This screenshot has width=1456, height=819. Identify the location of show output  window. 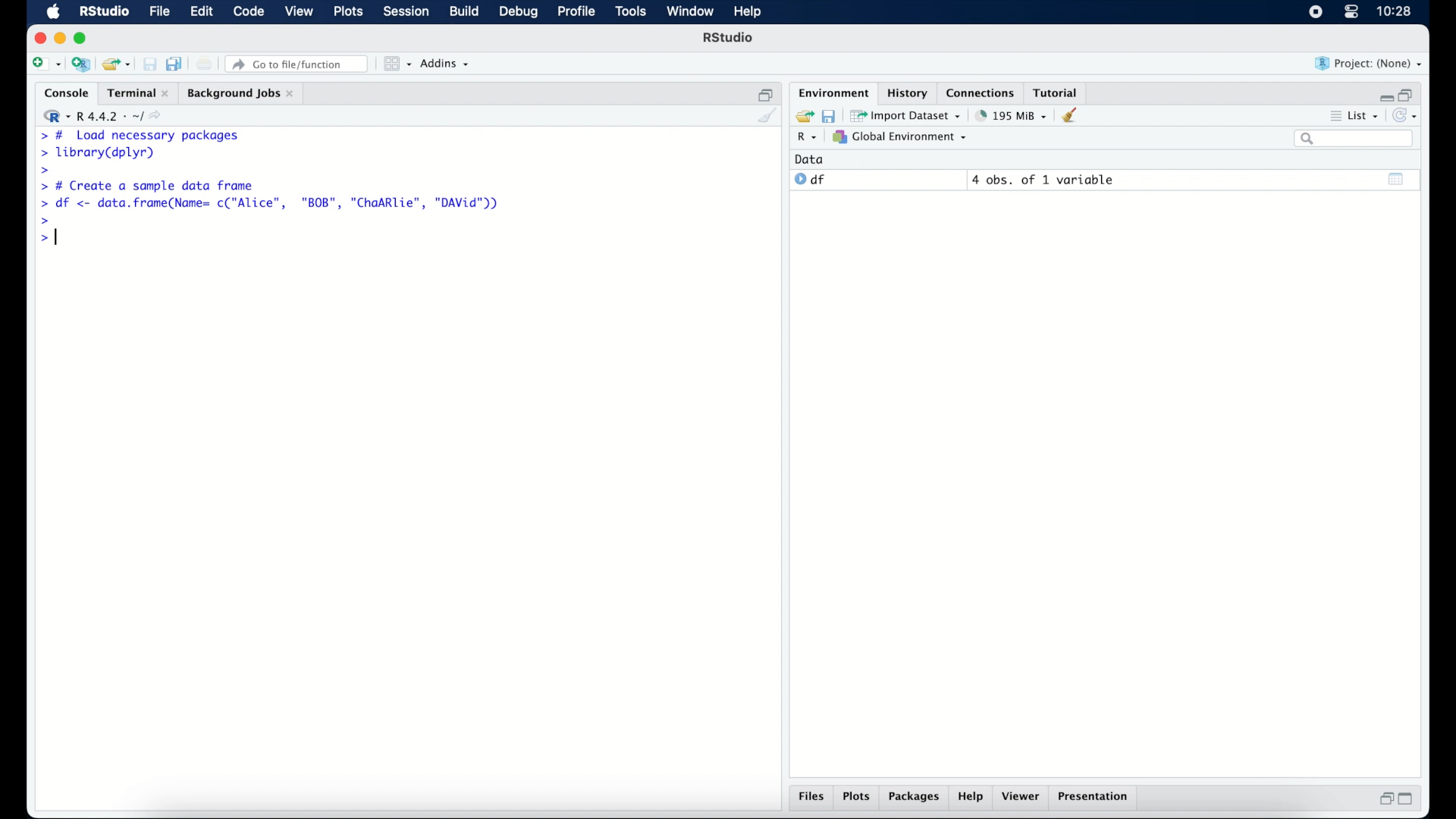
(1397, 178).